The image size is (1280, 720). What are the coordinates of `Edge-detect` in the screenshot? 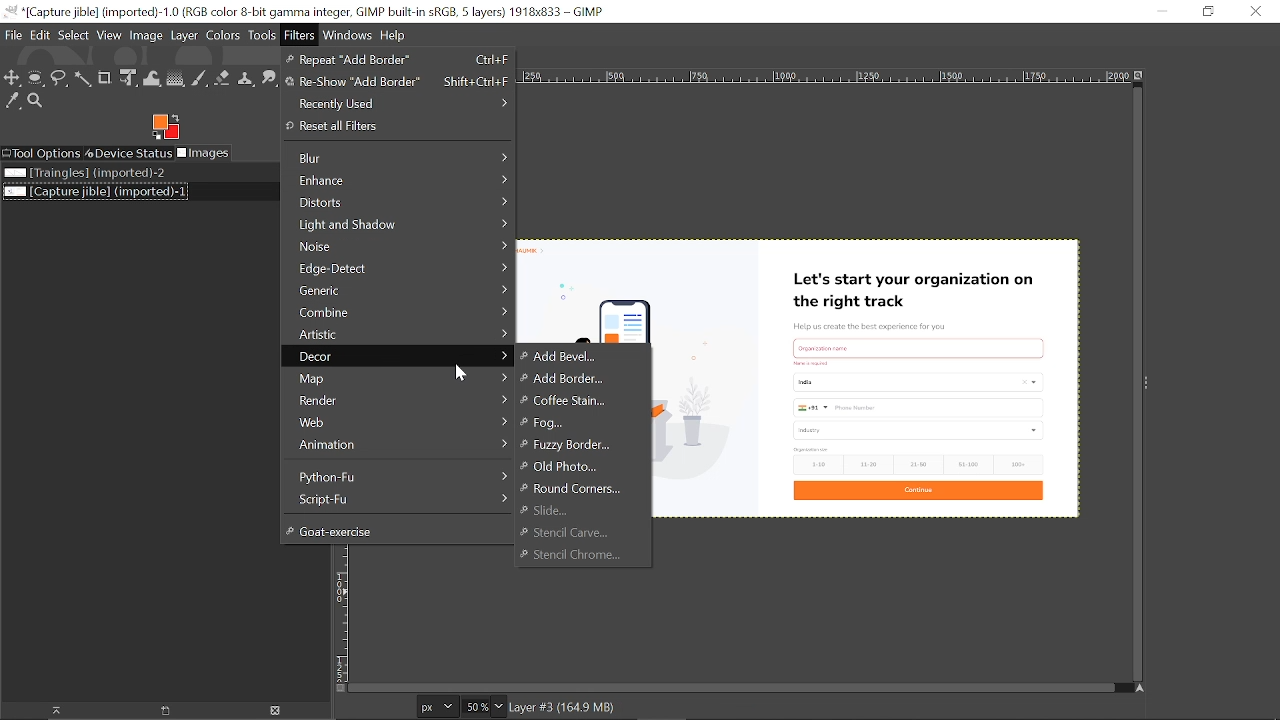 It's located at (399, 267).